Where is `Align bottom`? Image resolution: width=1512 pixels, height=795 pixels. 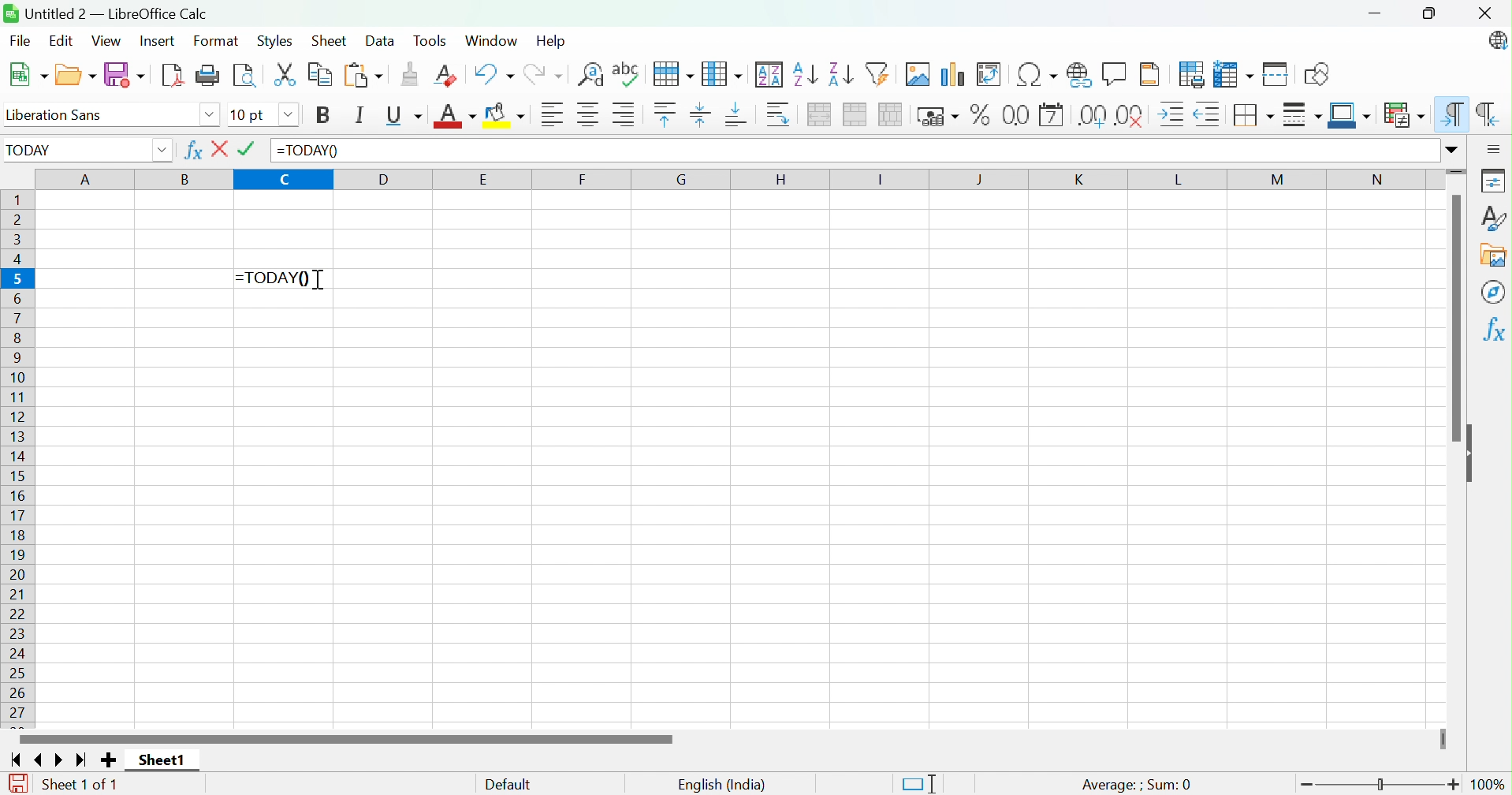
Align bottom is located at coordinates (736, 116).